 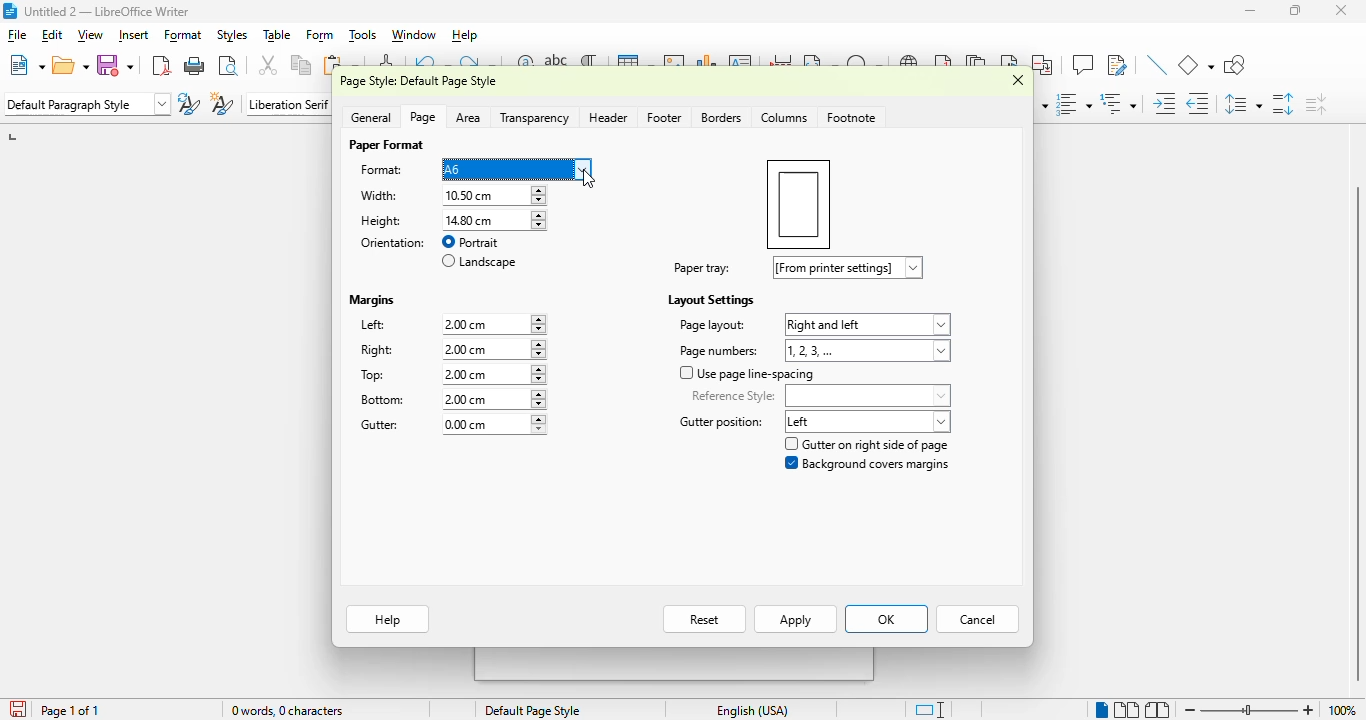 What do you see at coordinates (1354, 435) in the screenshot?
I see `vertical scroll bar` at bounding box center [1354, 435].